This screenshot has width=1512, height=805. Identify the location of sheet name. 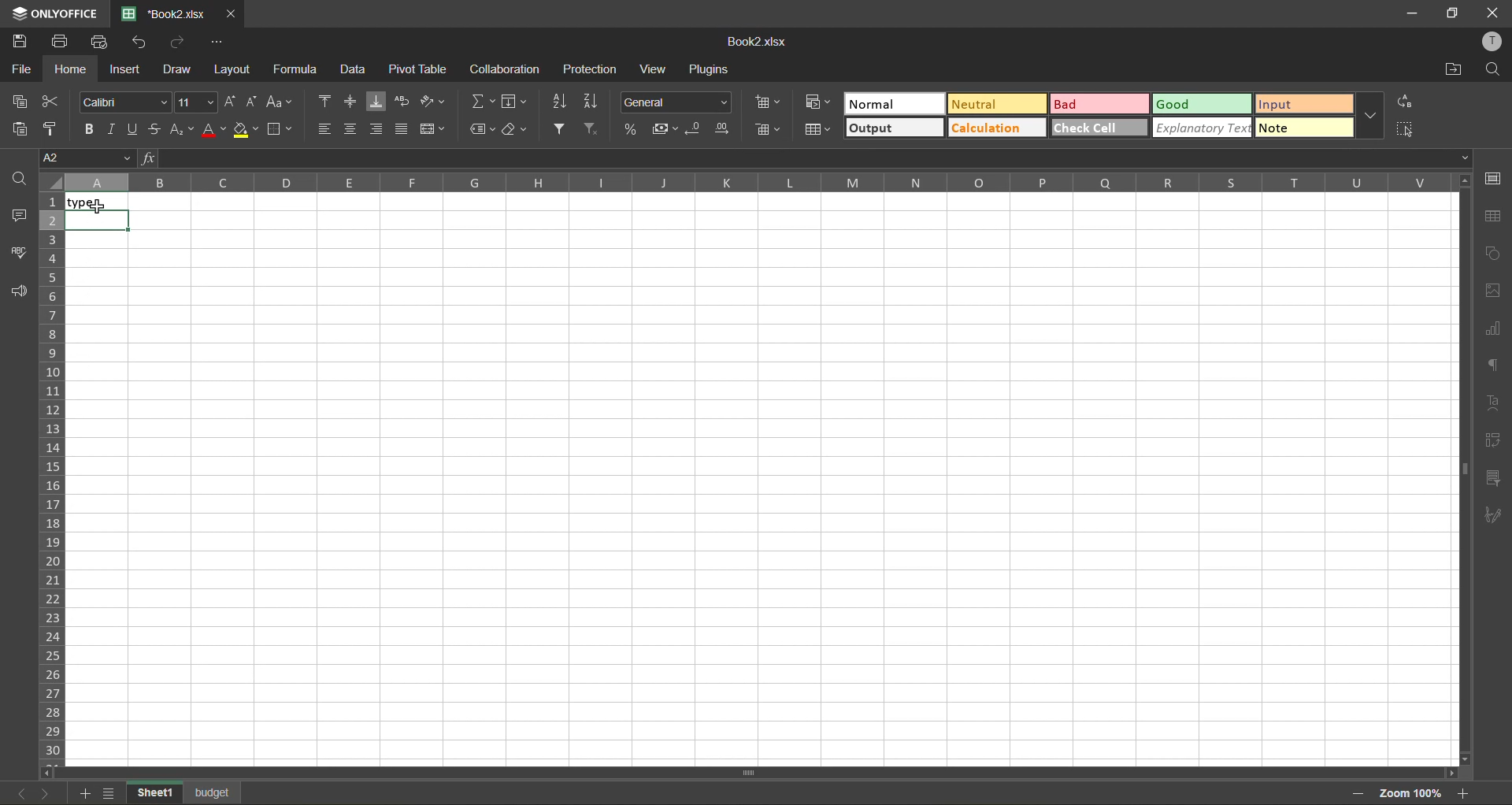
(214, 791).